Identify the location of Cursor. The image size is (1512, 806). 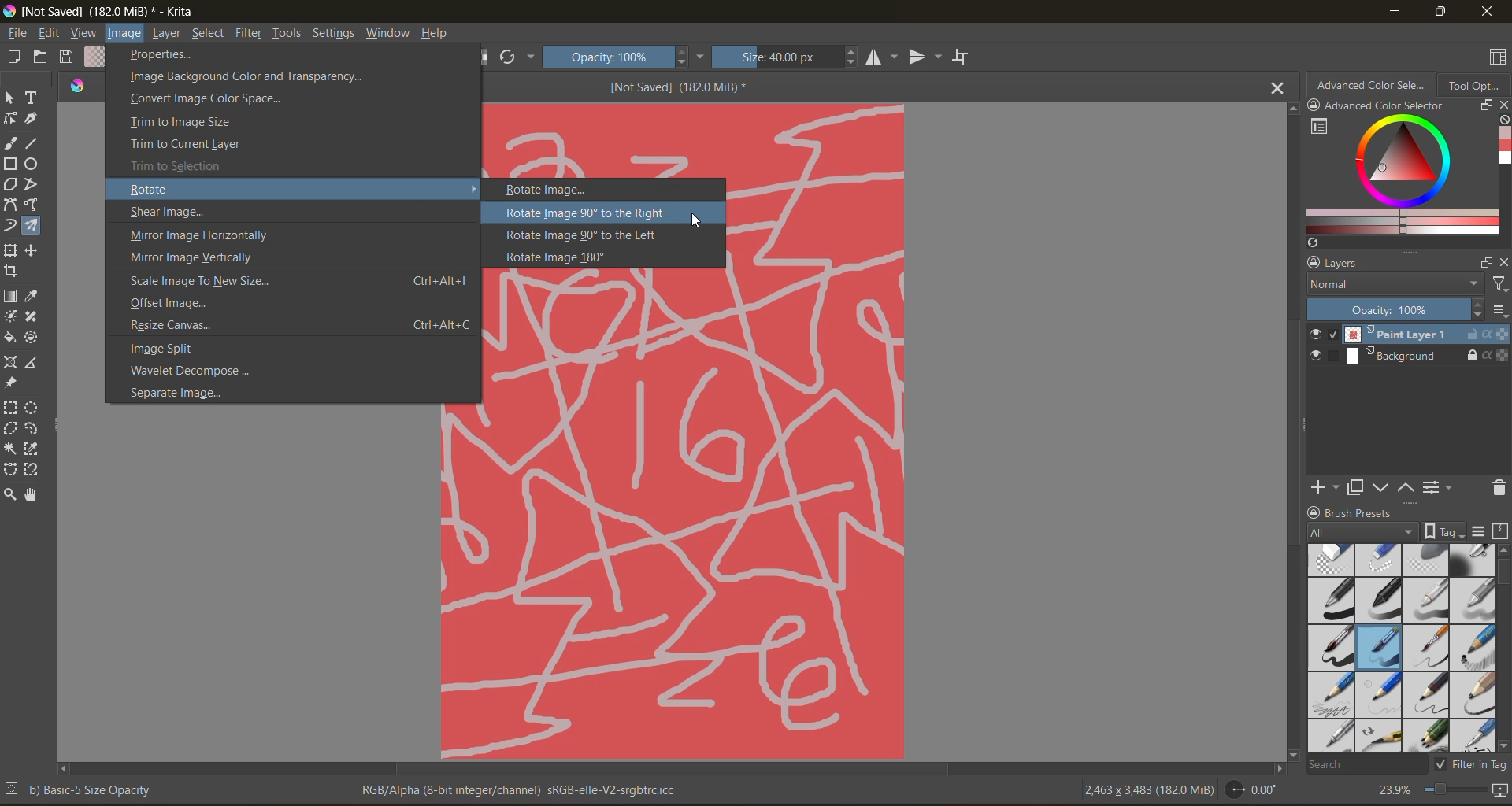
(409, 201).